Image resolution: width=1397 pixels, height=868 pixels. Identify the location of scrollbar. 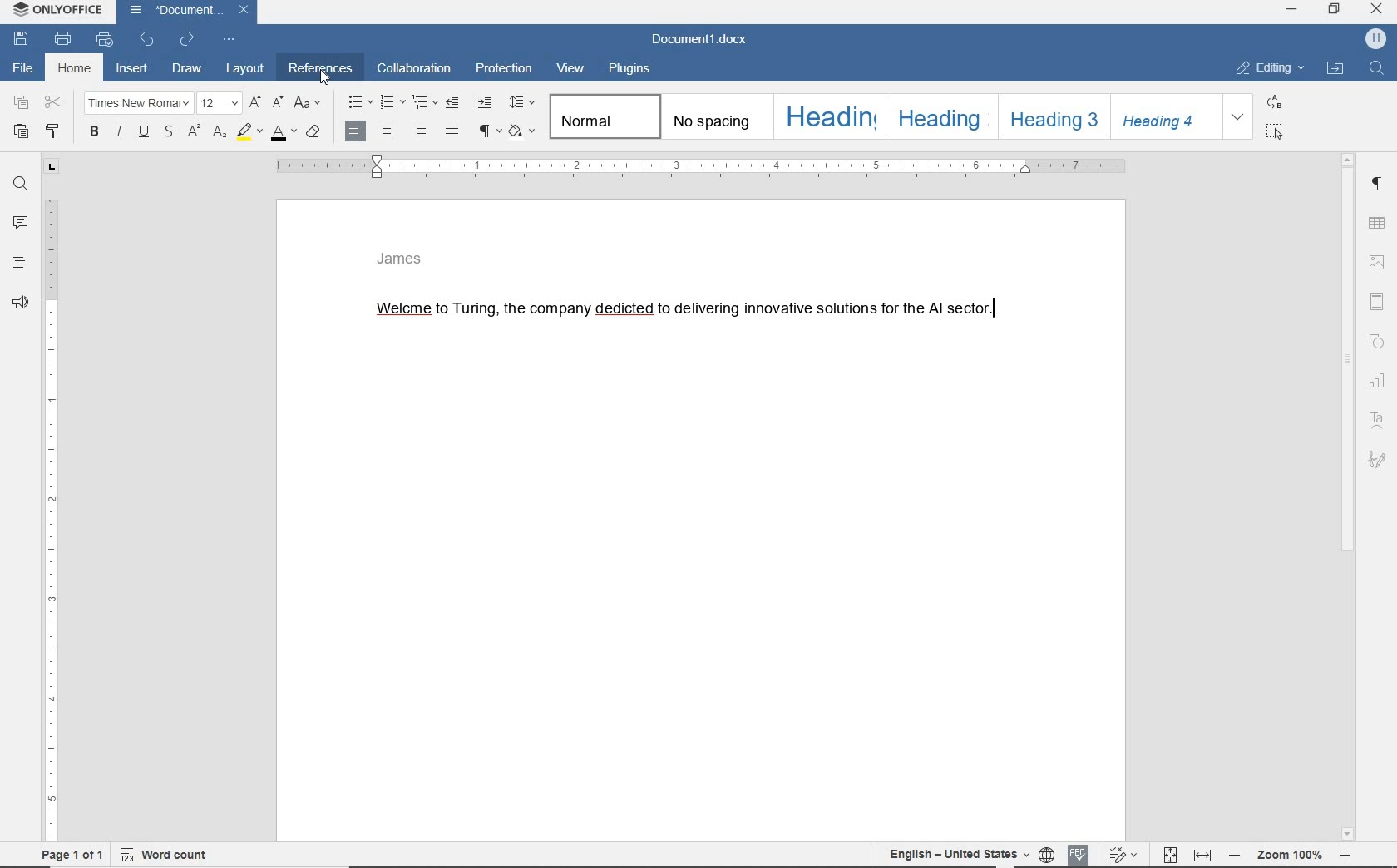
(1352, 497).